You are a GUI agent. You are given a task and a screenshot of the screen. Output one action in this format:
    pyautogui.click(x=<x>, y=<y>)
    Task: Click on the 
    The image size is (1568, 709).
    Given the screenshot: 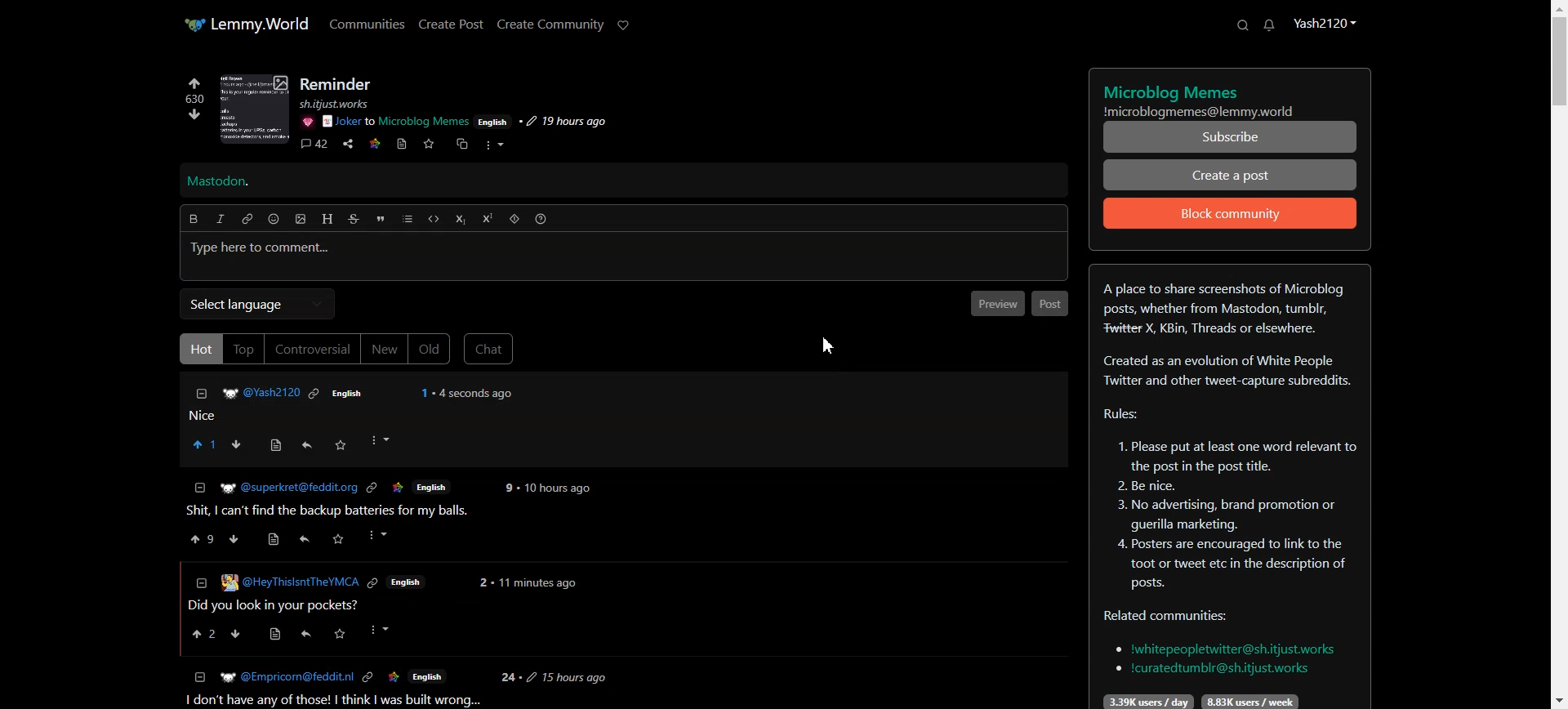 What is the action you would take?
    pyautogui.click(x=396, y=122)
    